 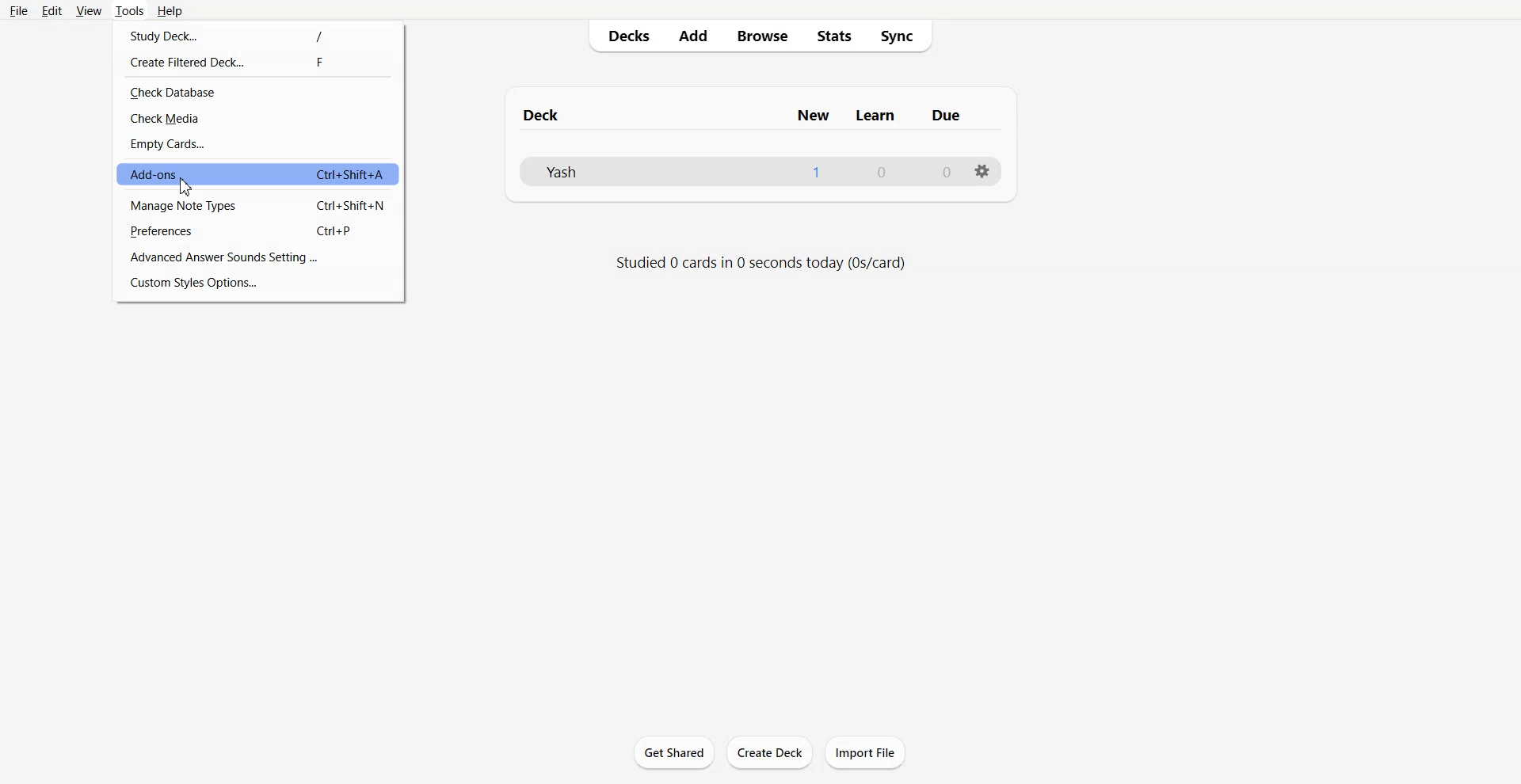 I want to click on Preferences, so click(x=259, y=230).